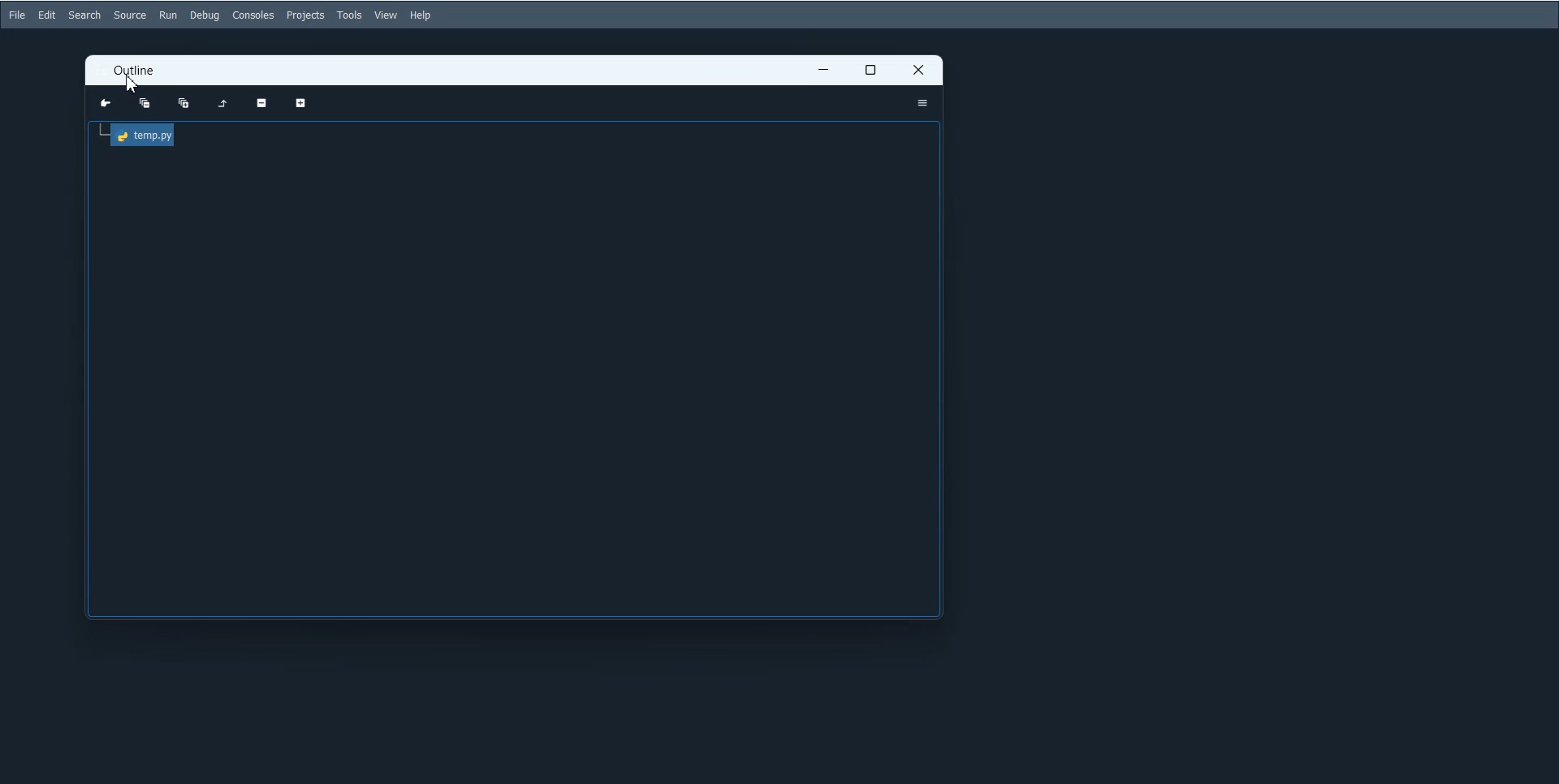 The height and width of the screenshot is (784, 1559). Describe the element at coordinates (823, 71) in the screenshot. I see `Minimize` at that location.